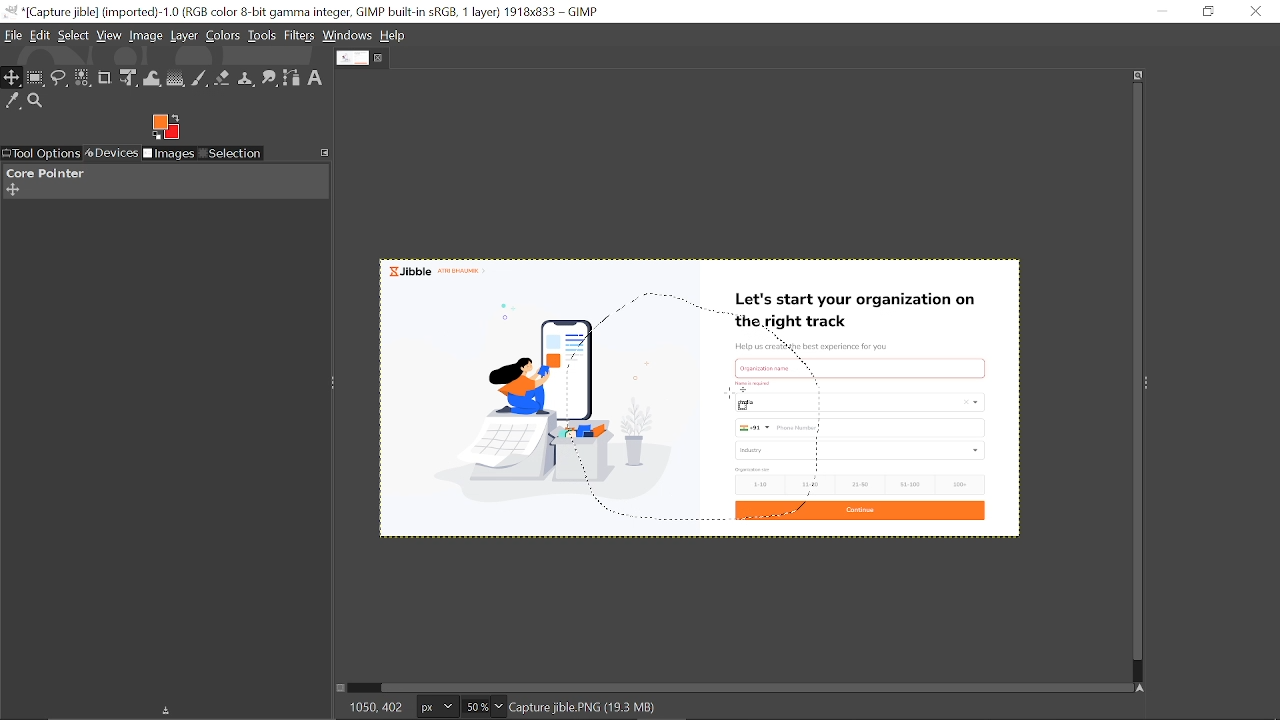 This screenshot has height=720, width=1280. I want to click on Crop text tool, so click(105, 78).